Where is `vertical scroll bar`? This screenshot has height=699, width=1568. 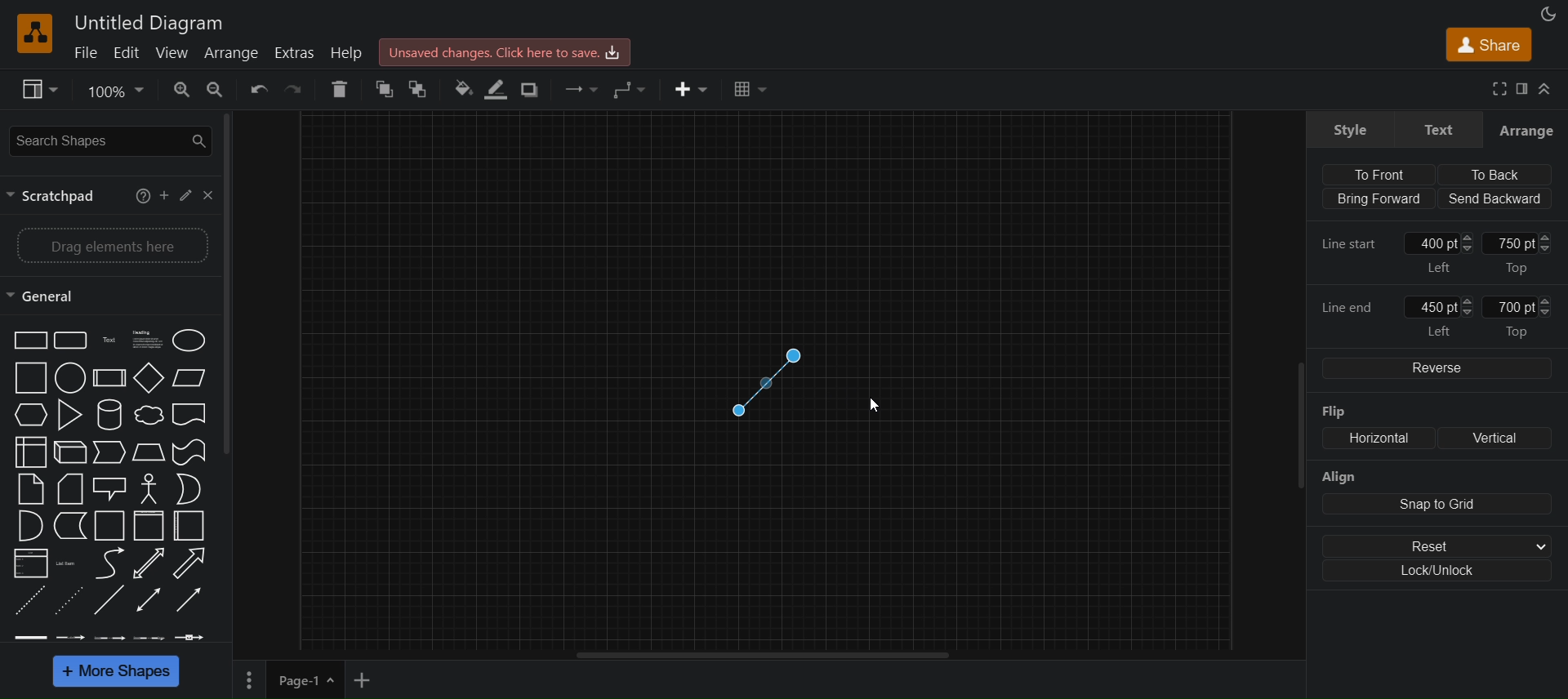
vertical scroll bar is located at coordinates (231, 285).